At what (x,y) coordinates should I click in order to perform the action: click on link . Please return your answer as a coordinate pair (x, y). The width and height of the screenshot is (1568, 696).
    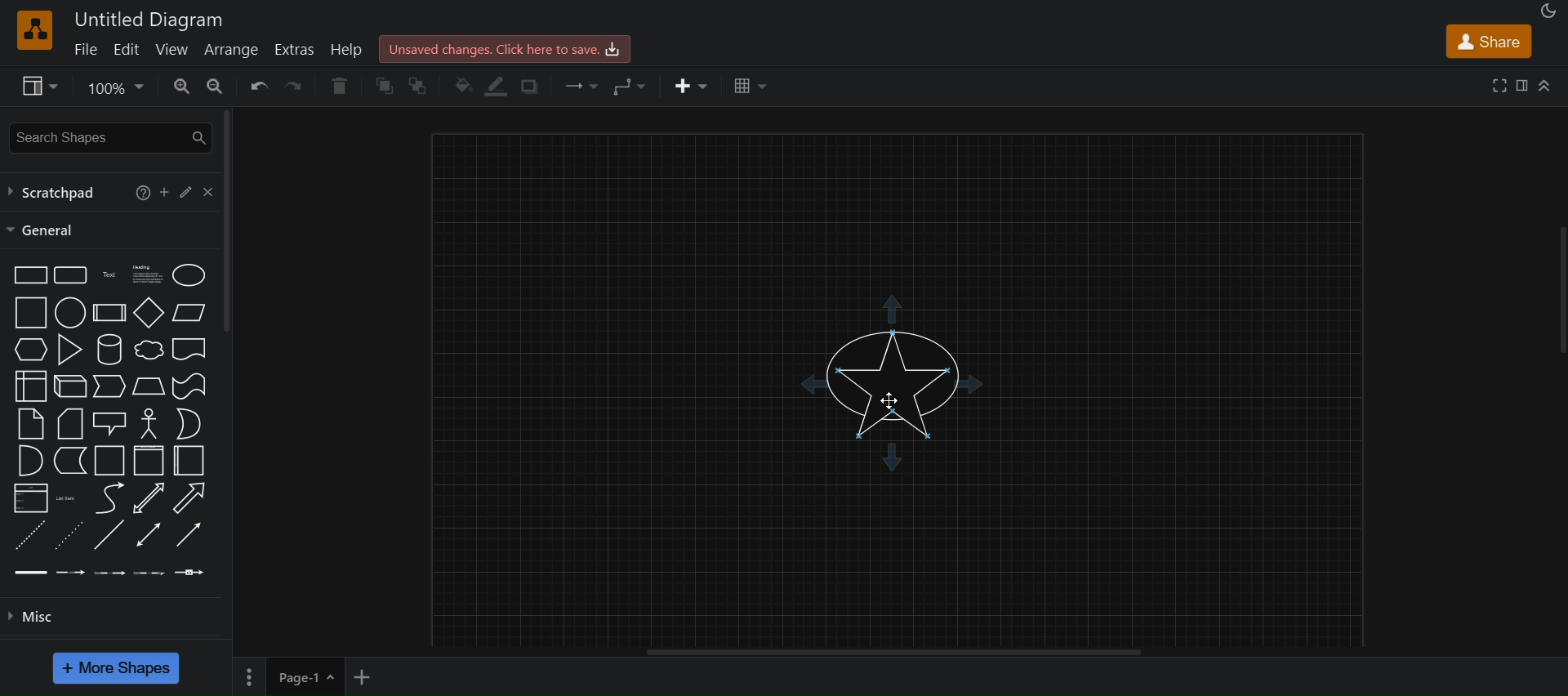
    Looking at the image, I should click on (109, 536).